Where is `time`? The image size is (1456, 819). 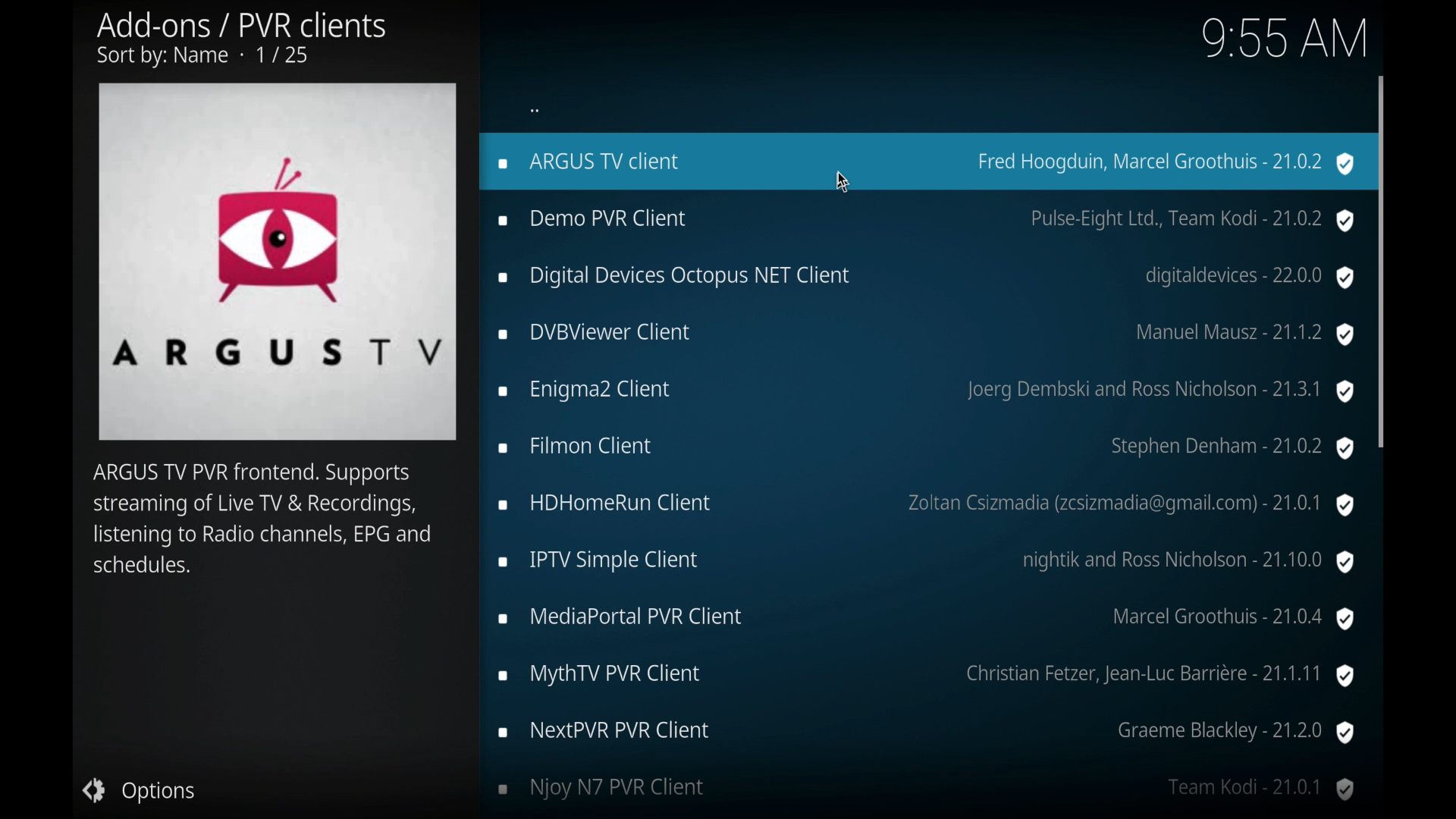
time is located at coordinates (1283, 38).